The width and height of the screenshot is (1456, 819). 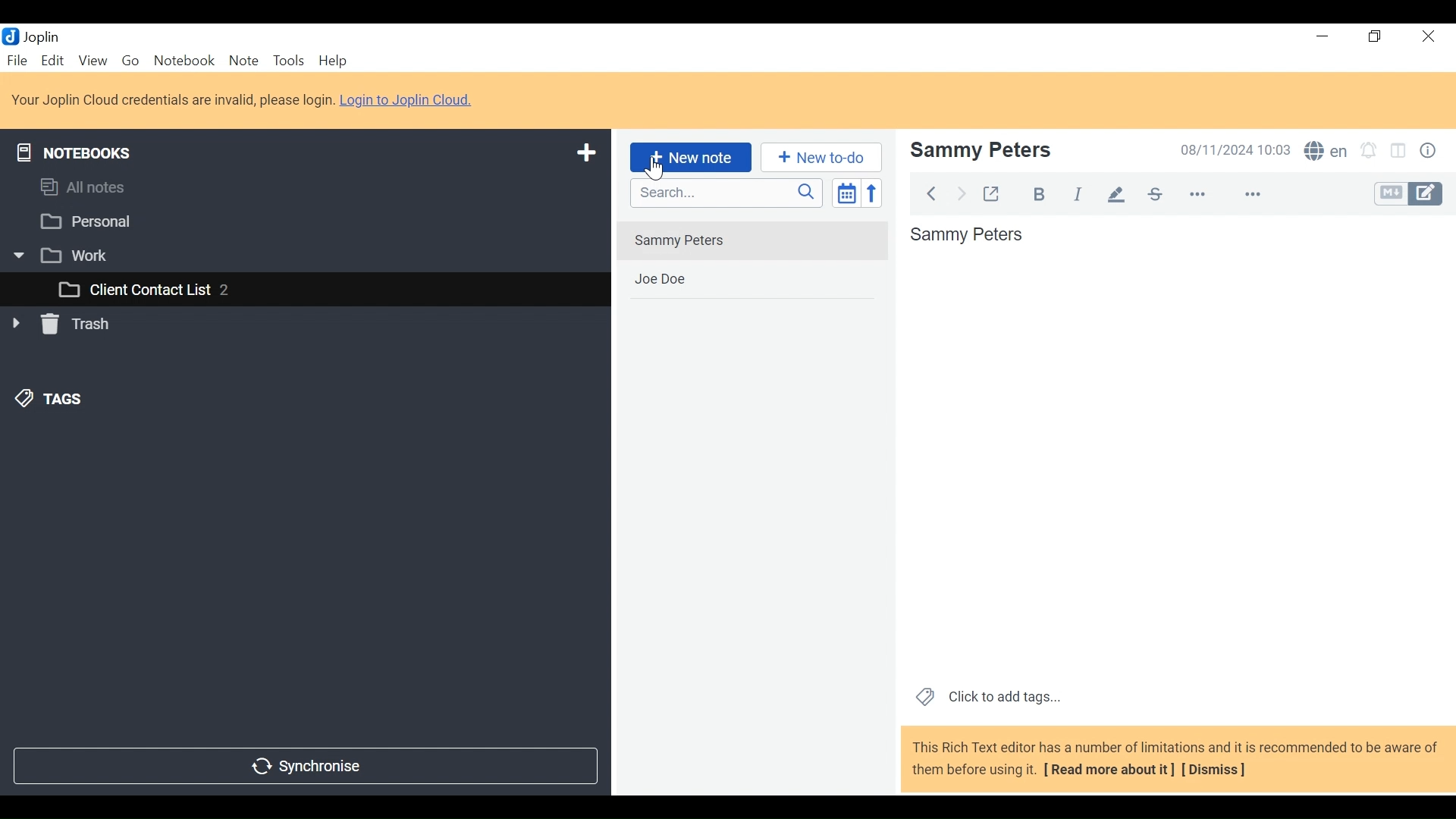 I want to click on Notebooks, so click(x=78, y=150).